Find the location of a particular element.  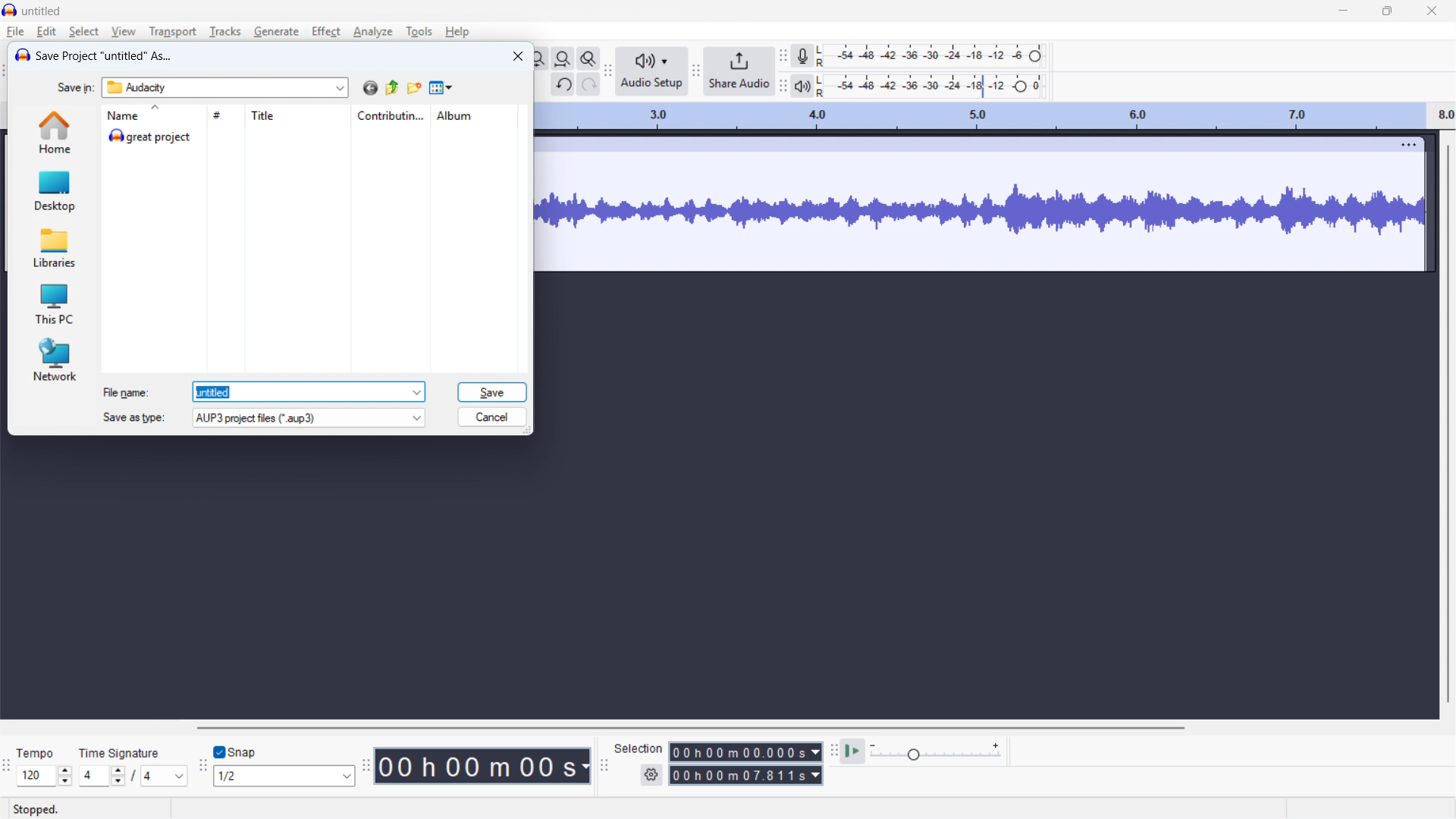

file name is located at coordinates (127, 393).